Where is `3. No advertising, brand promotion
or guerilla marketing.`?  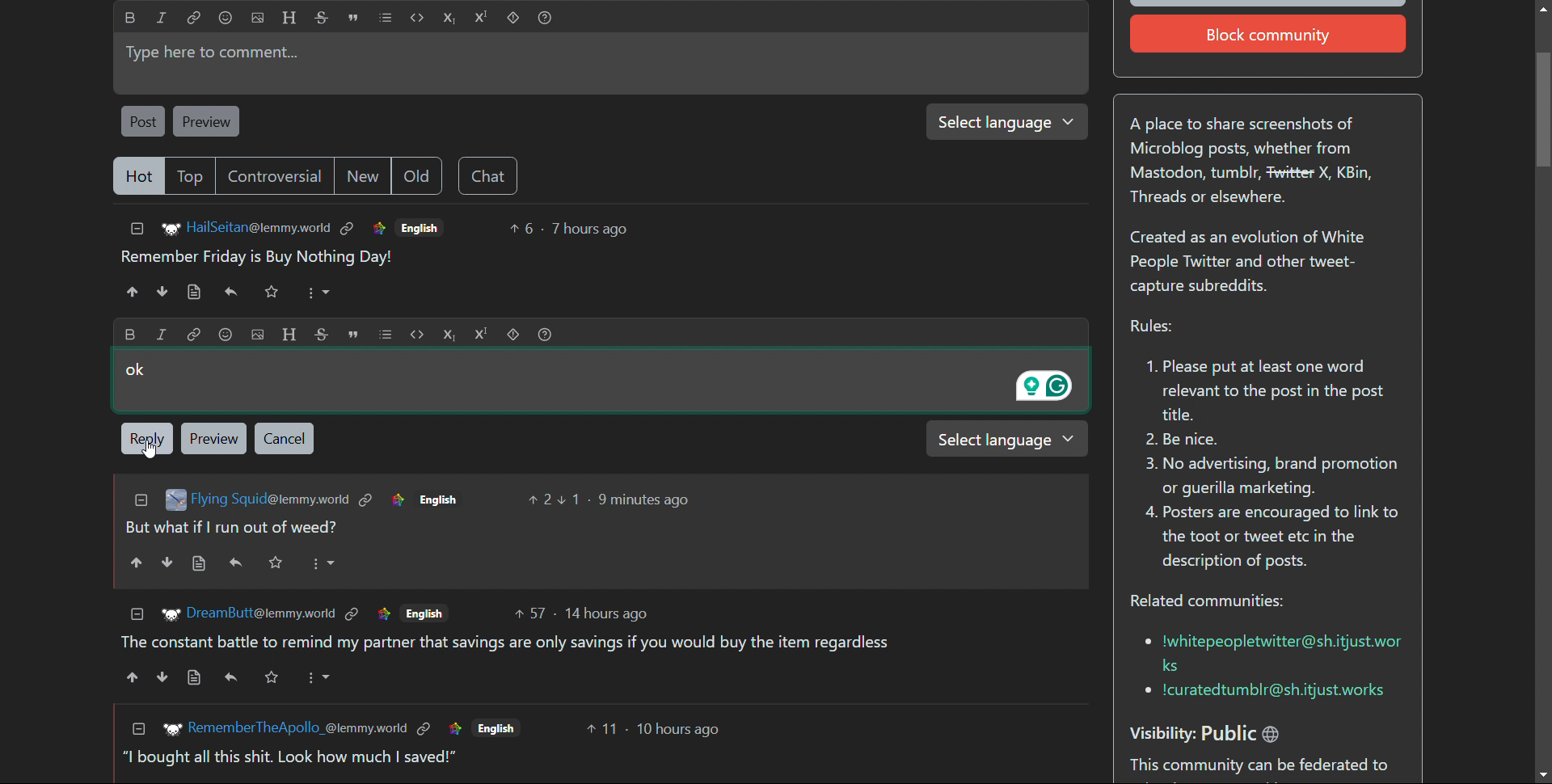
3. No advertising, brand promotion
or guerilla marketing. is located at coordinates (1269, 476).